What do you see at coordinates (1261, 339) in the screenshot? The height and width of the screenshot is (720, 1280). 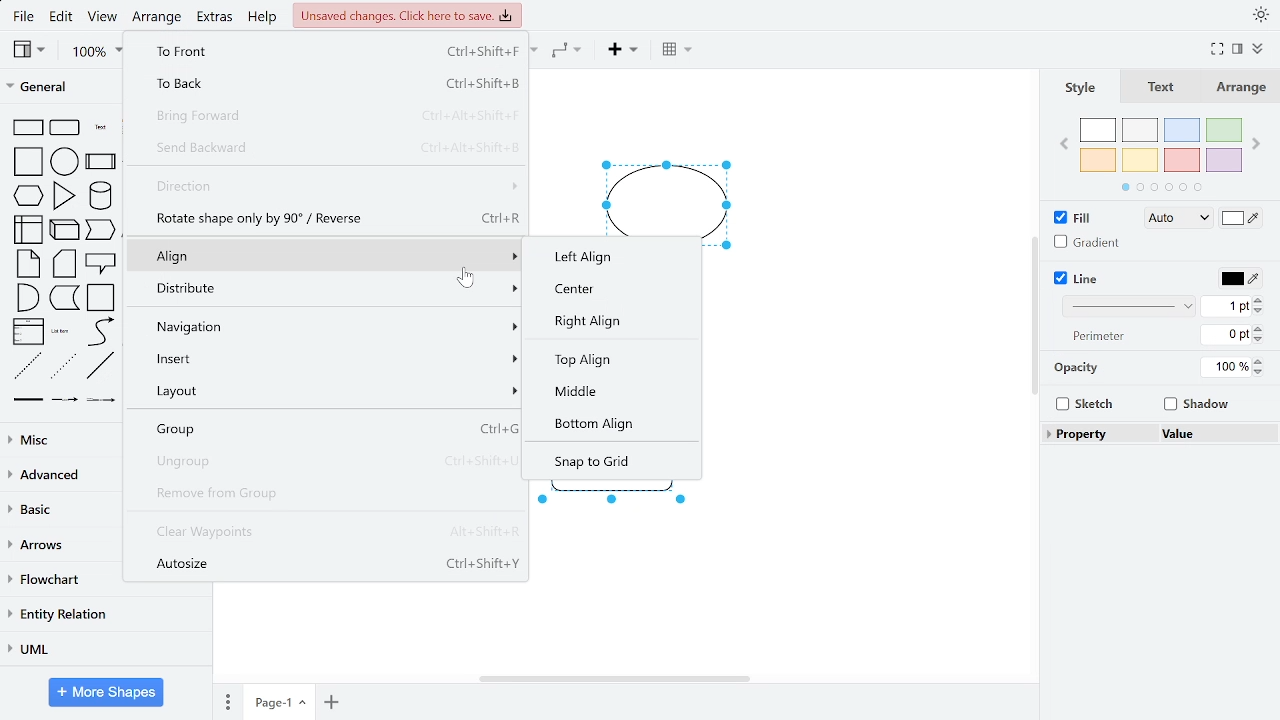 I see `decrease perimeter` at bounding box center [1261, 339].